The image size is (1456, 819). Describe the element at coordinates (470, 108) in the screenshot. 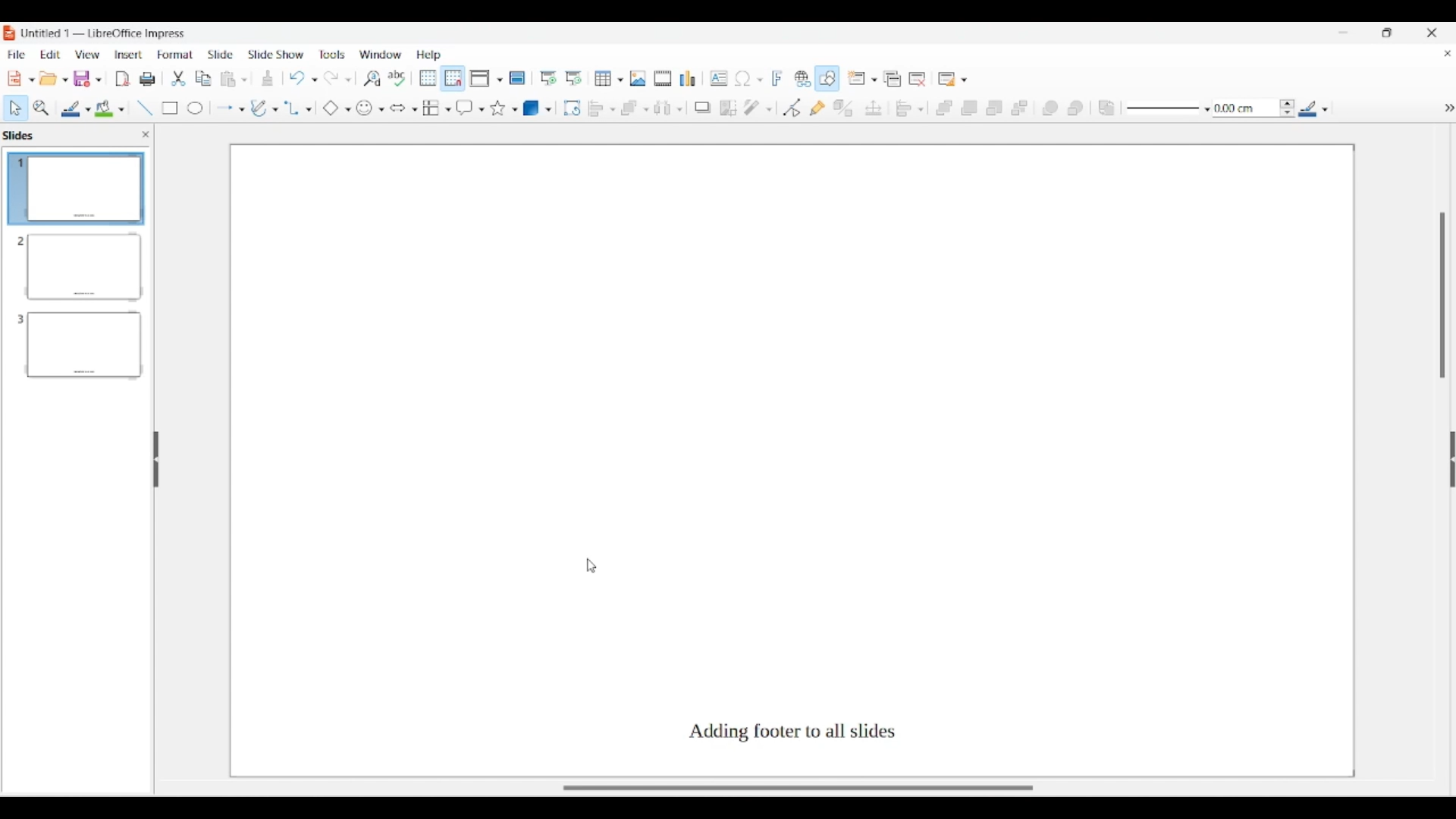

I see `Callout shape options` at that location.